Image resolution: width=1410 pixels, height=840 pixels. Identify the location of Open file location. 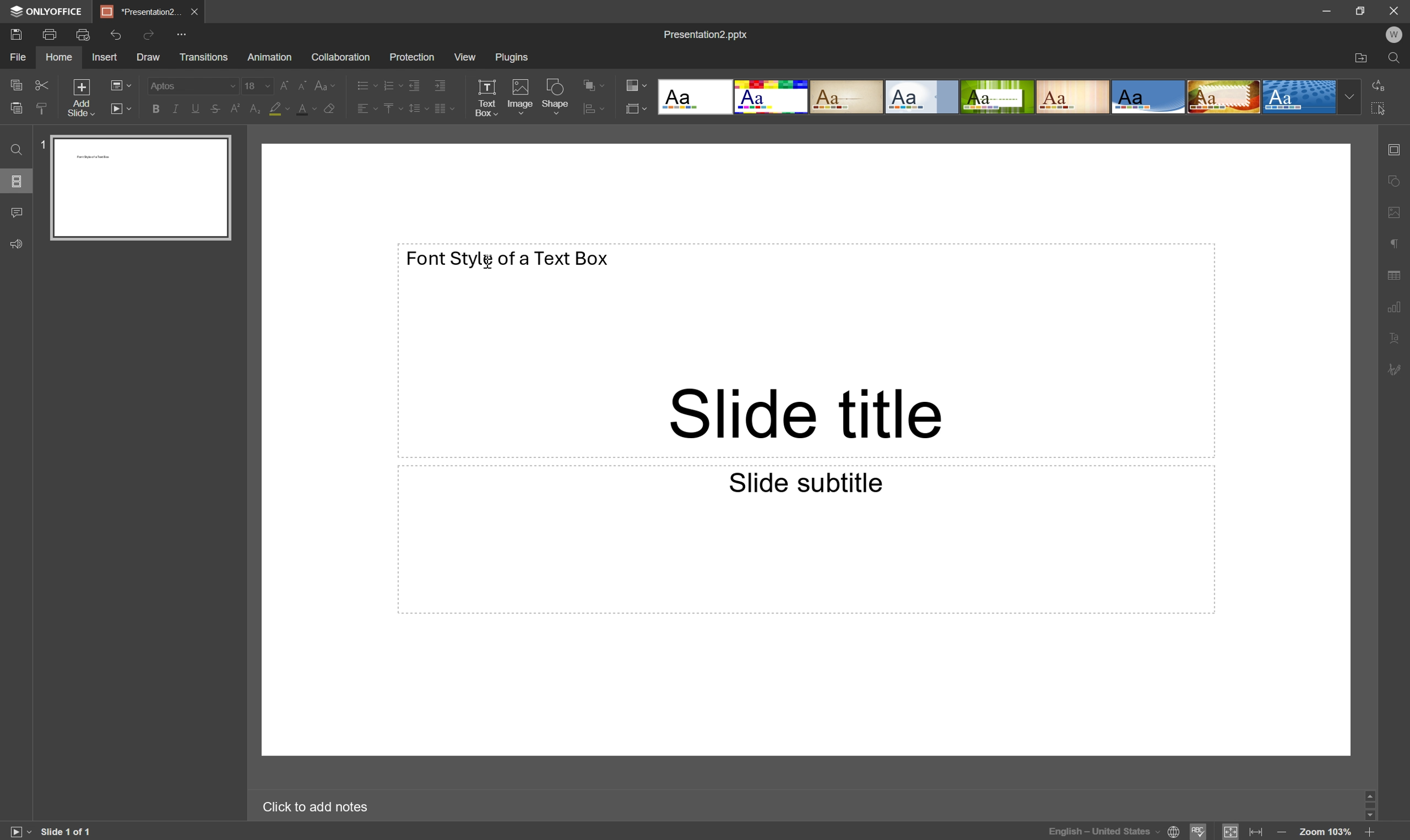
(1364, 57).